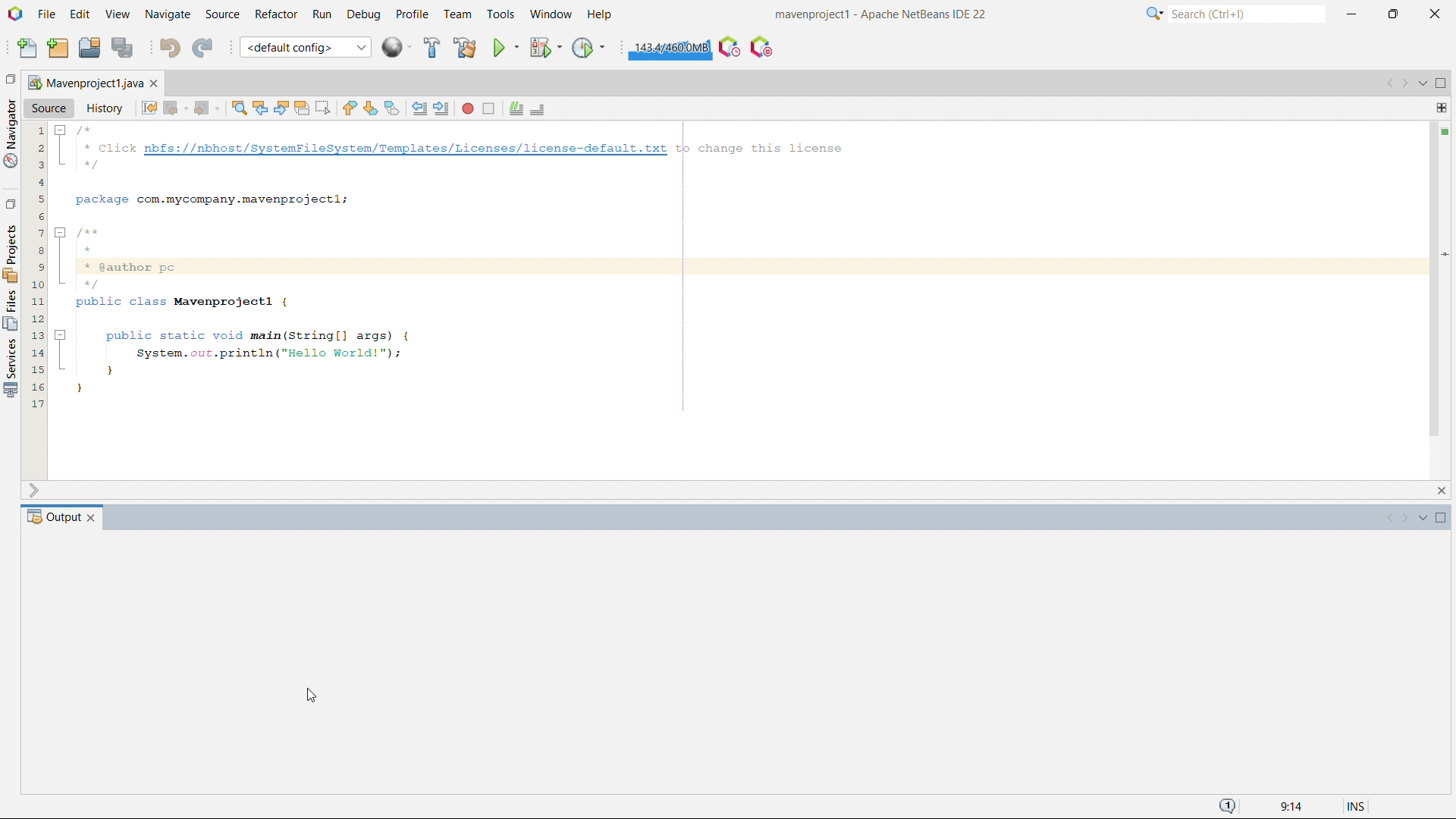 Image resolution: width=1456 pixels, height=819 pixels. Describe the element at coordinates (314, 697) in the screenshot. I see `pointer cursor` at that location.